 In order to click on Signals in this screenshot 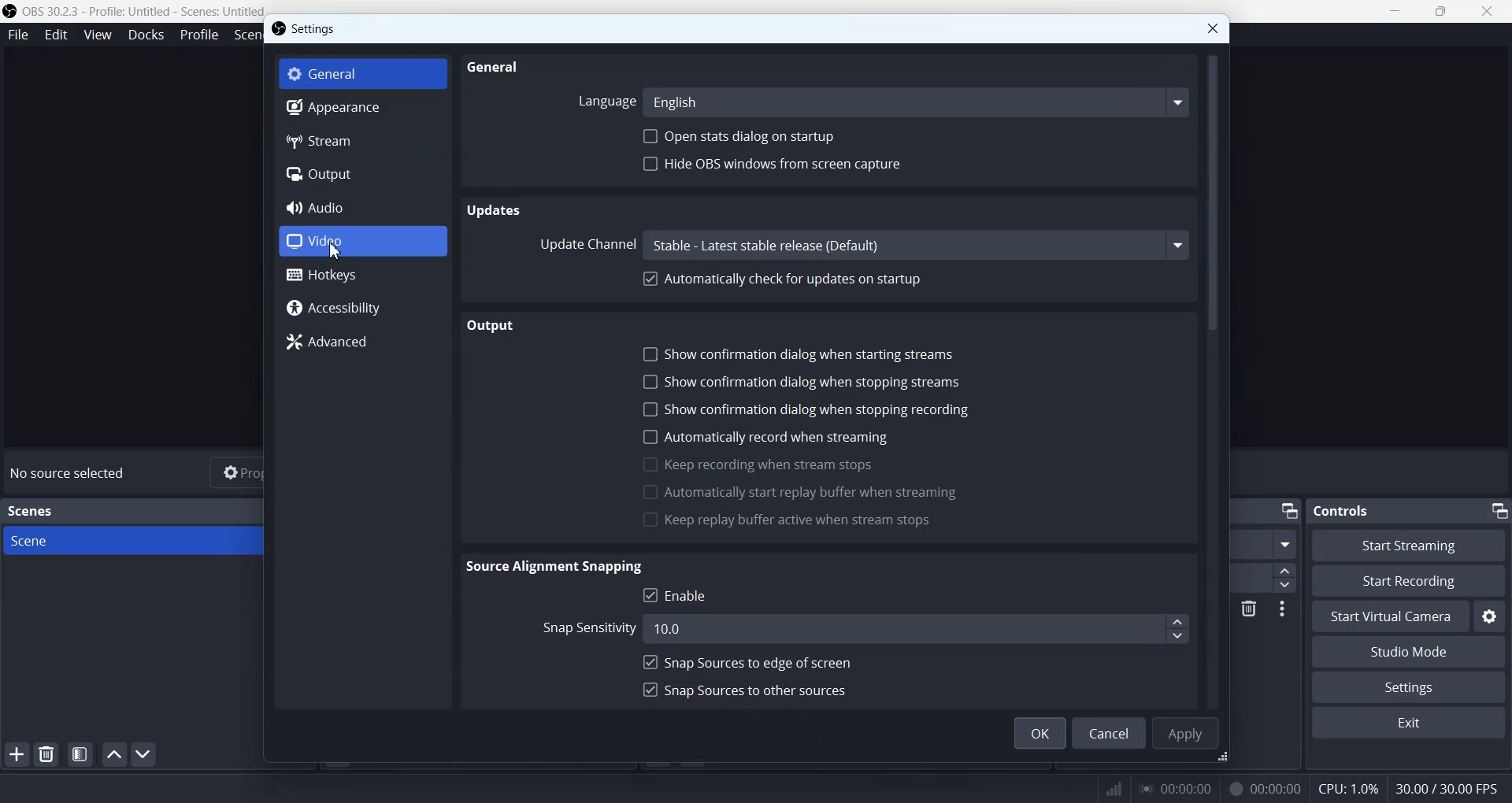, I will do `click(1106, 787)`.